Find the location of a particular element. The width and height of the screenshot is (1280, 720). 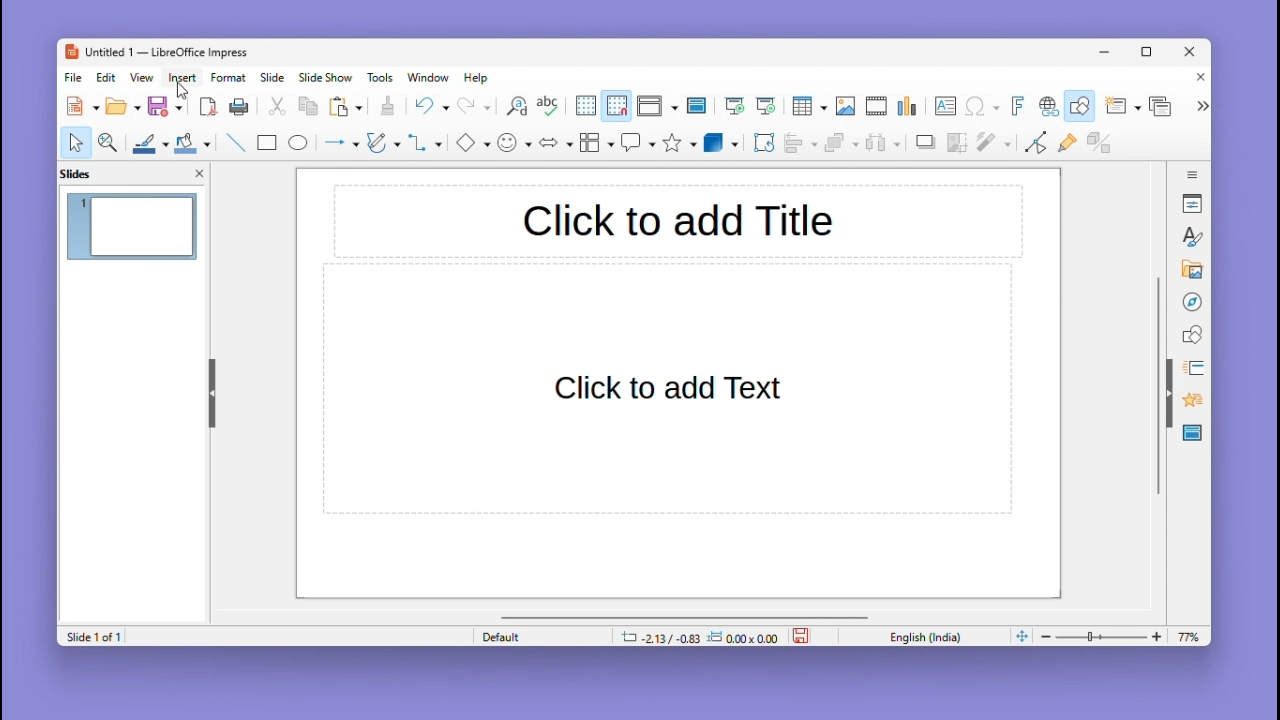

undo is located at coordinates (431, 106).